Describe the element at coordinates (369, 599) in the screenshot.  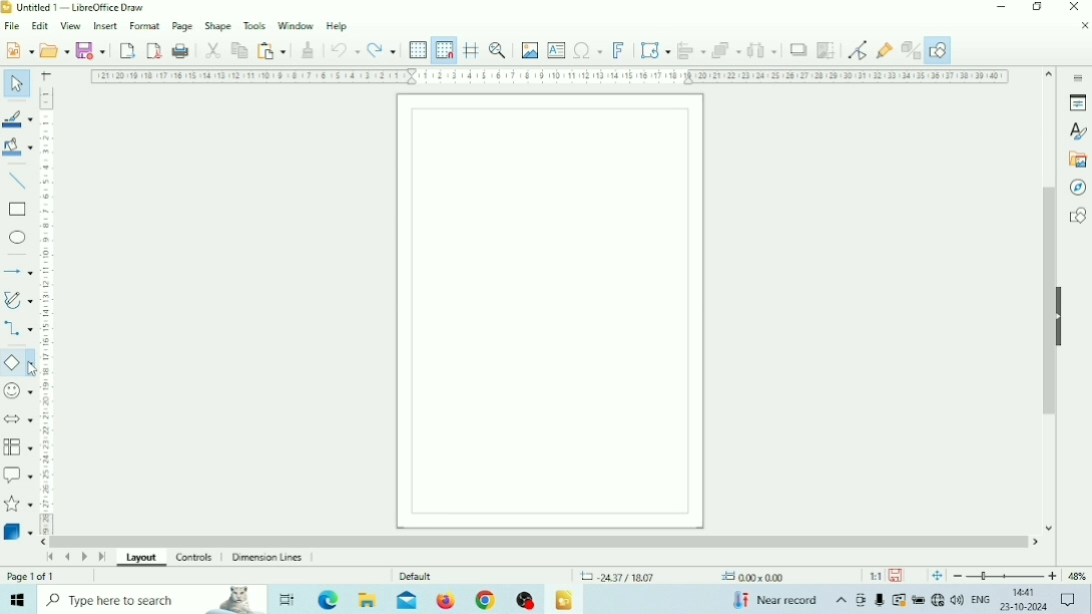
I see `File Explorer` at that location.